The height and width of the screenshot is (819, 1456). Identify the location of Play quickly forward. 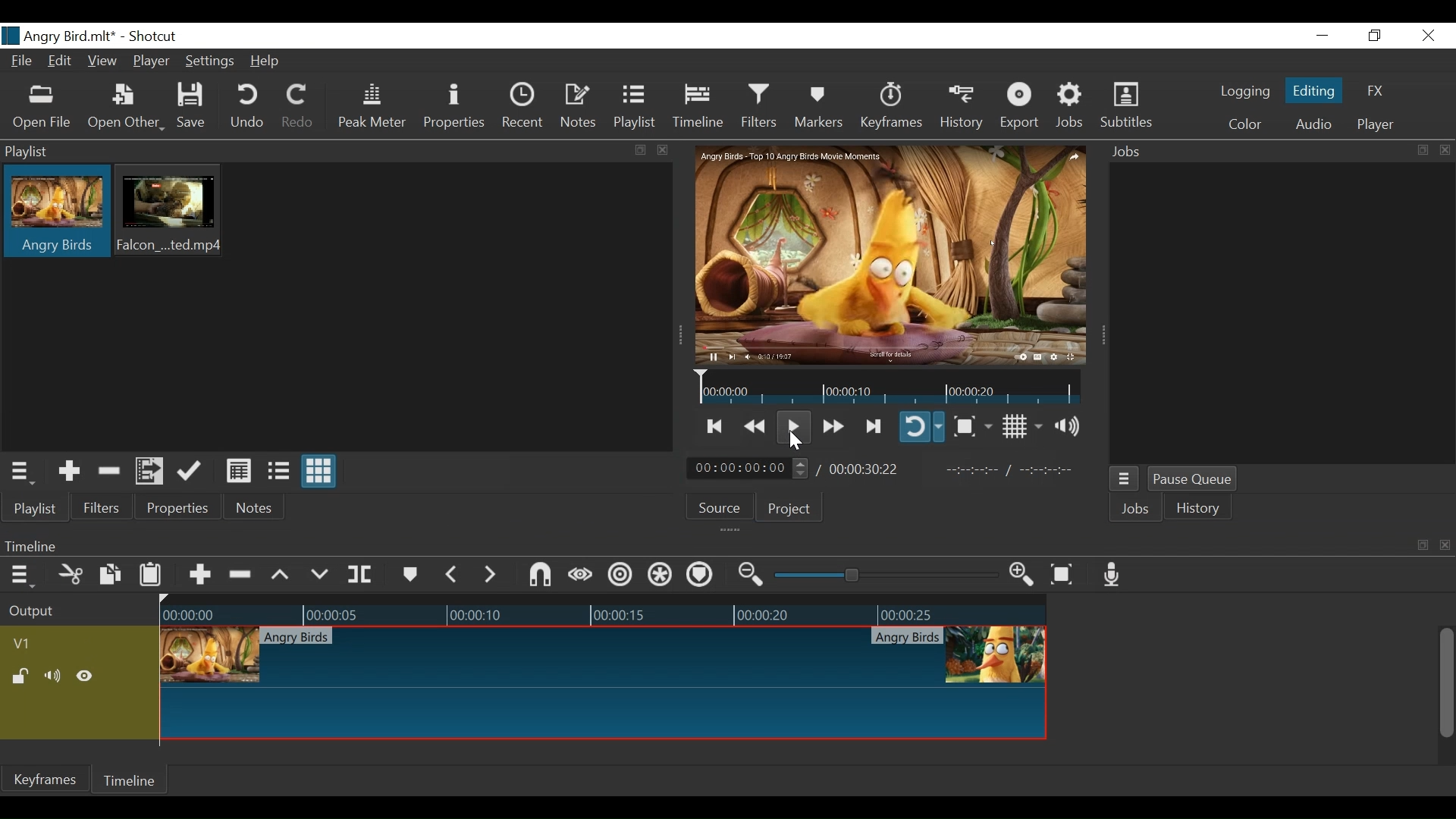
(832, 425).